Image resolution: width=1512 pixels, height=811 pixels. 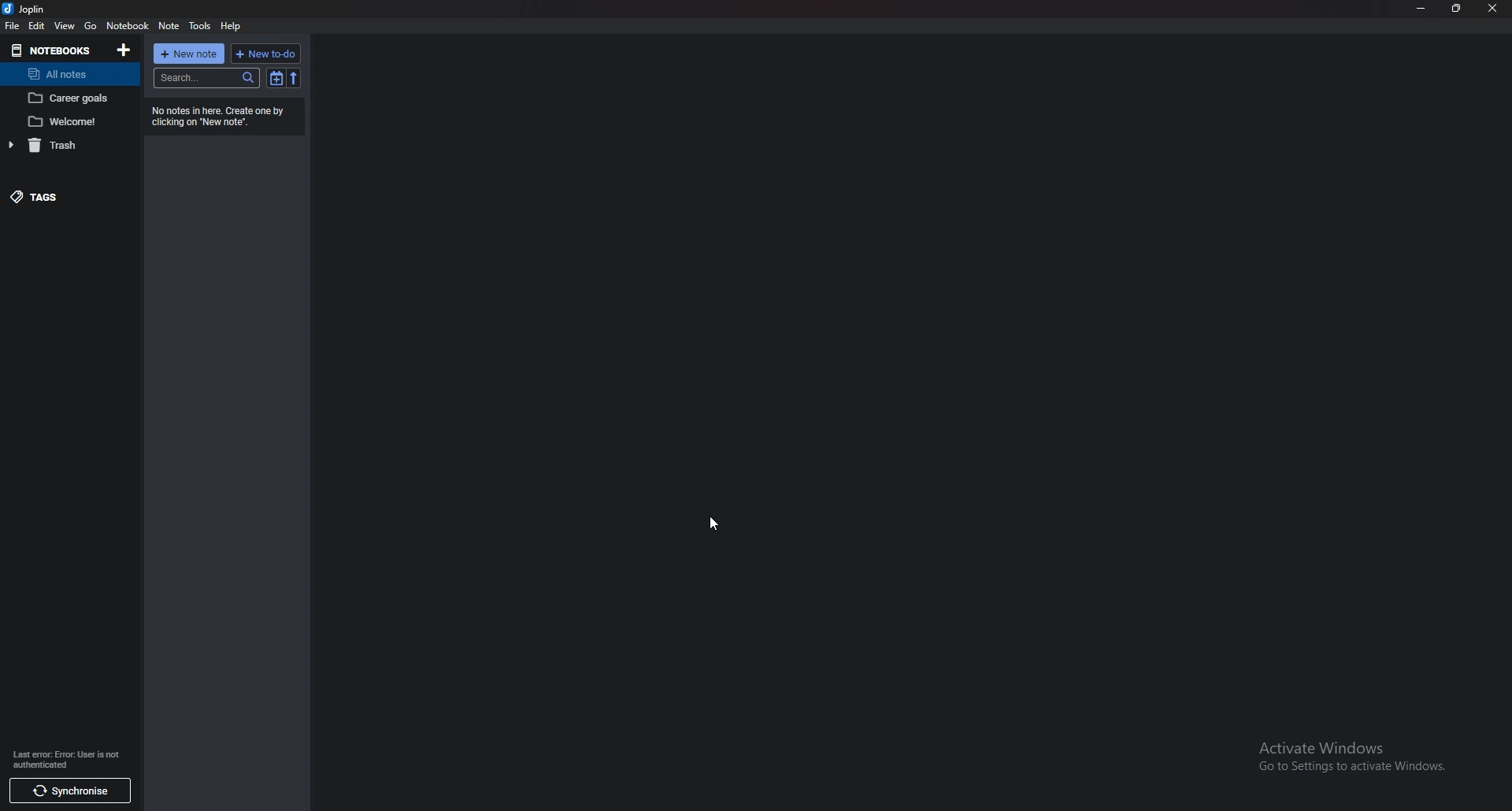 I want to click on resize, so click(x=1456, y=9).